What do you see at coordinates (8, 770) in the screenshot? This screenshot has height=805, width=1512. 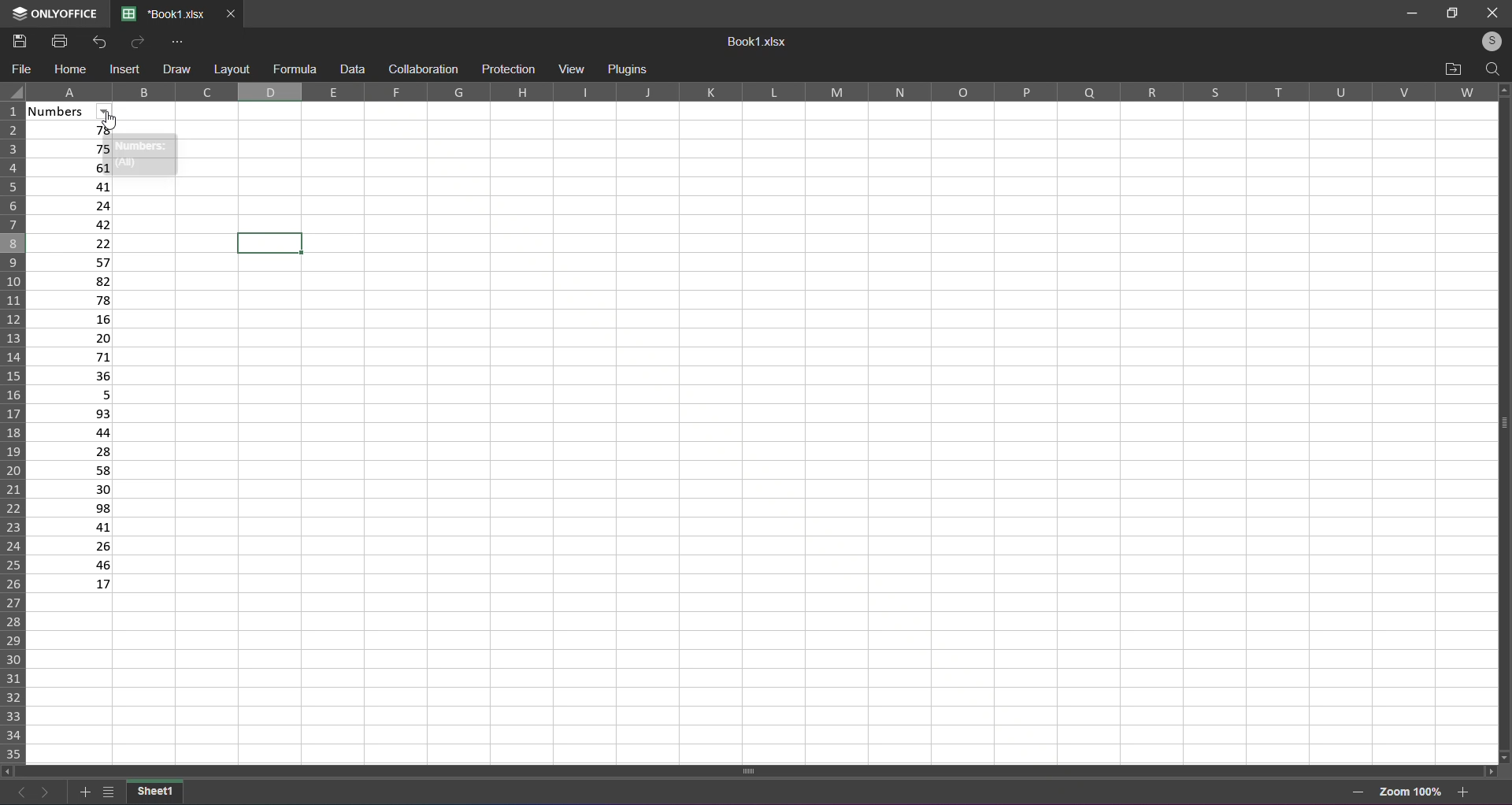 I see `Move left` at bounding box center [8, 770].